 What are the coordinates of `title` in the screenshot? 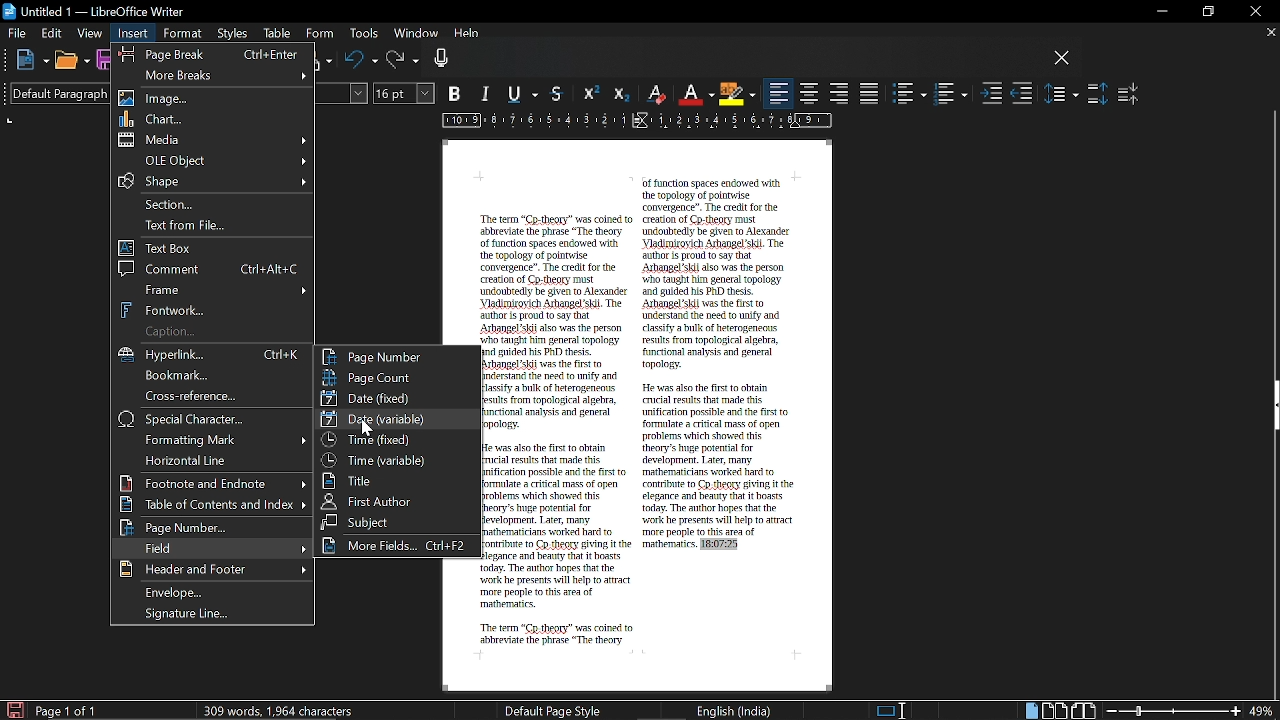 It's located at (394, 480).